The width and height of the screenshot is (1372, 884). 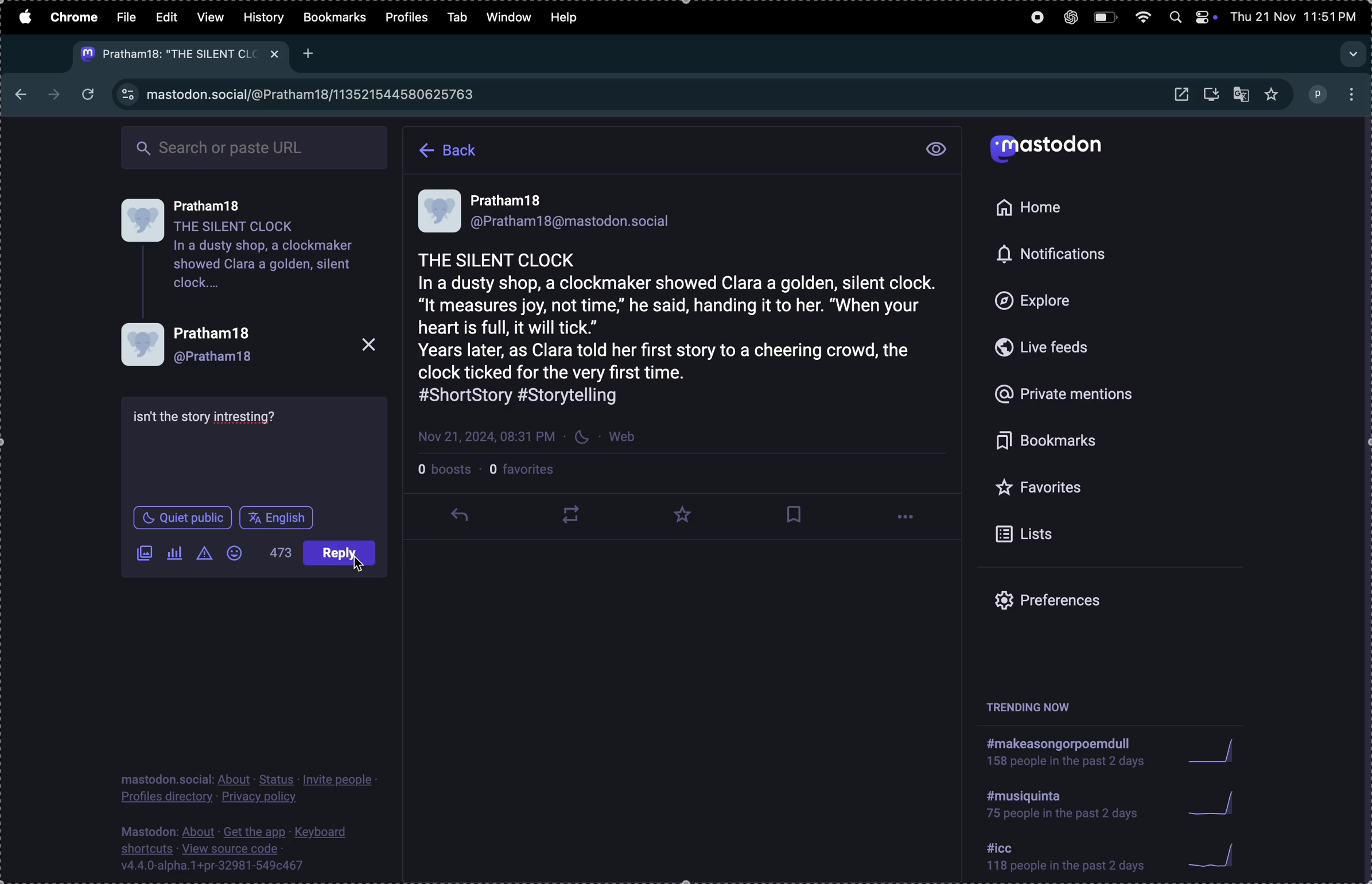 I want to click on open window, so click(x=1179, y=95).